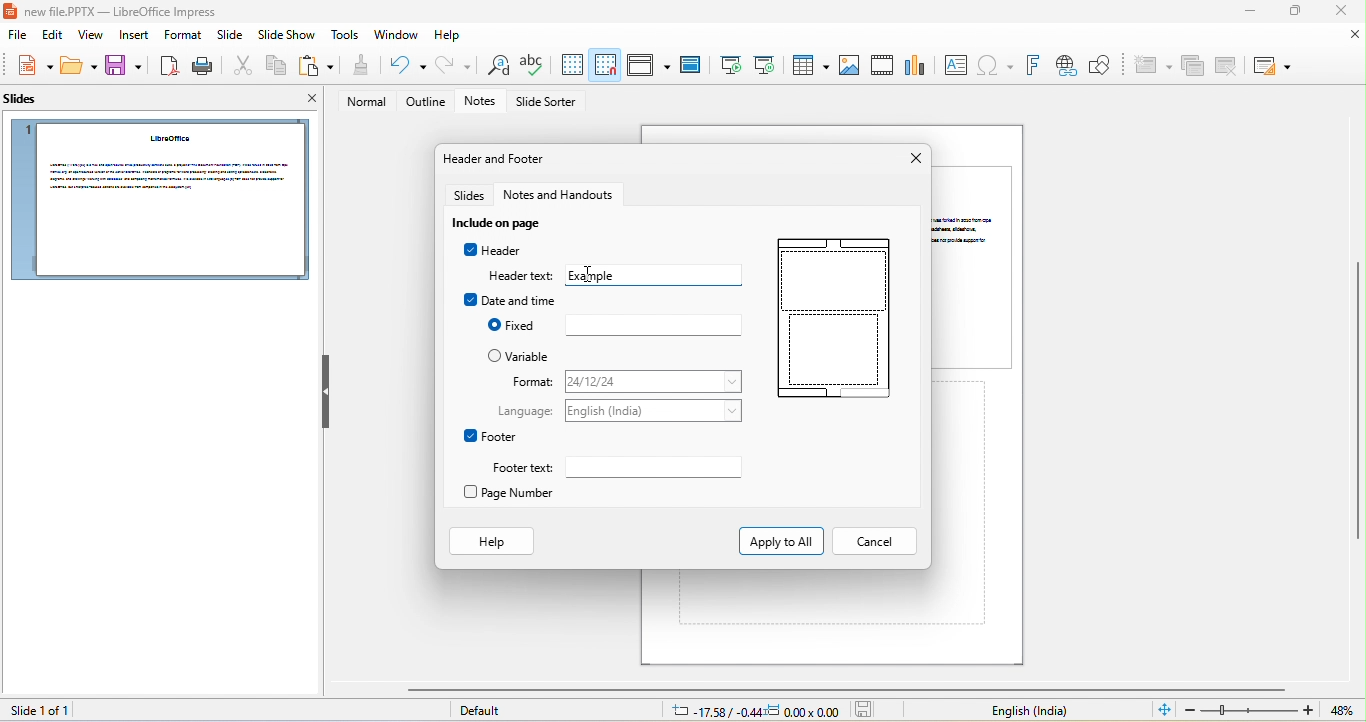 The image size is (1366, 722). Describe the element at coordinates (517, 494) in the screenshot. I see `page number` at that location.